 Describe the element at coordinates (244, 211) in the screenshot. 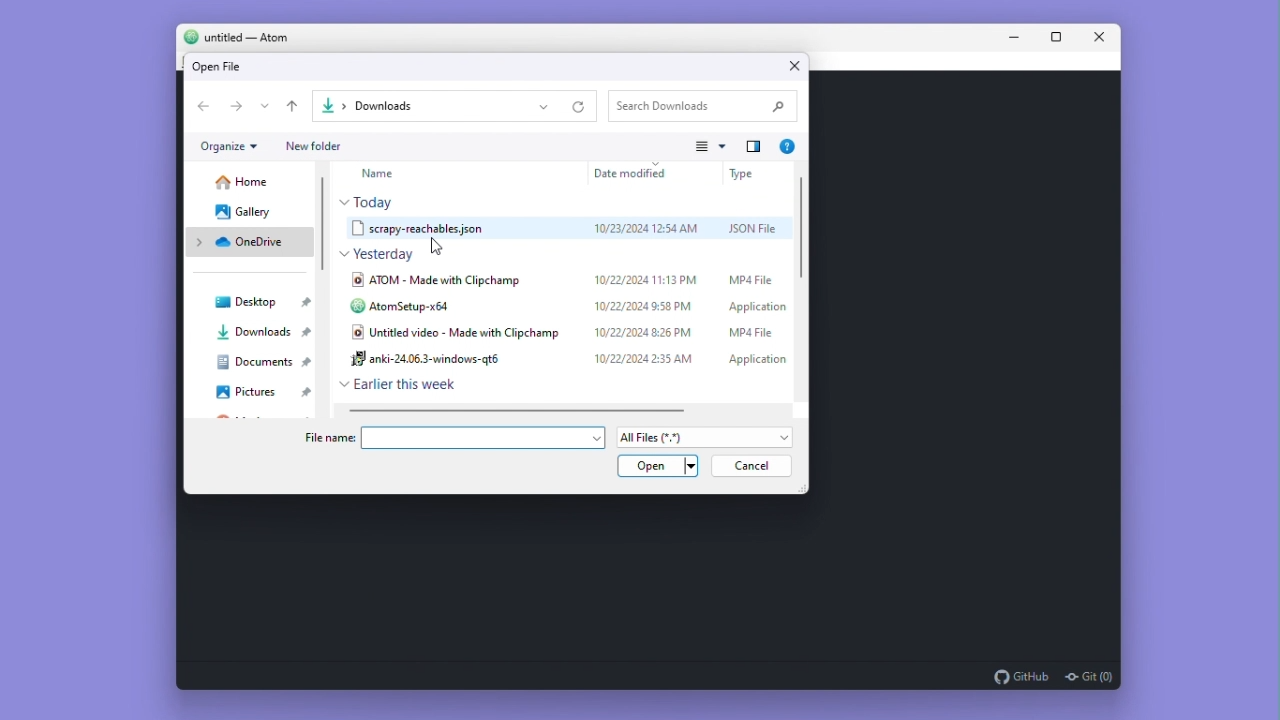

I see `Gallery` at that location.